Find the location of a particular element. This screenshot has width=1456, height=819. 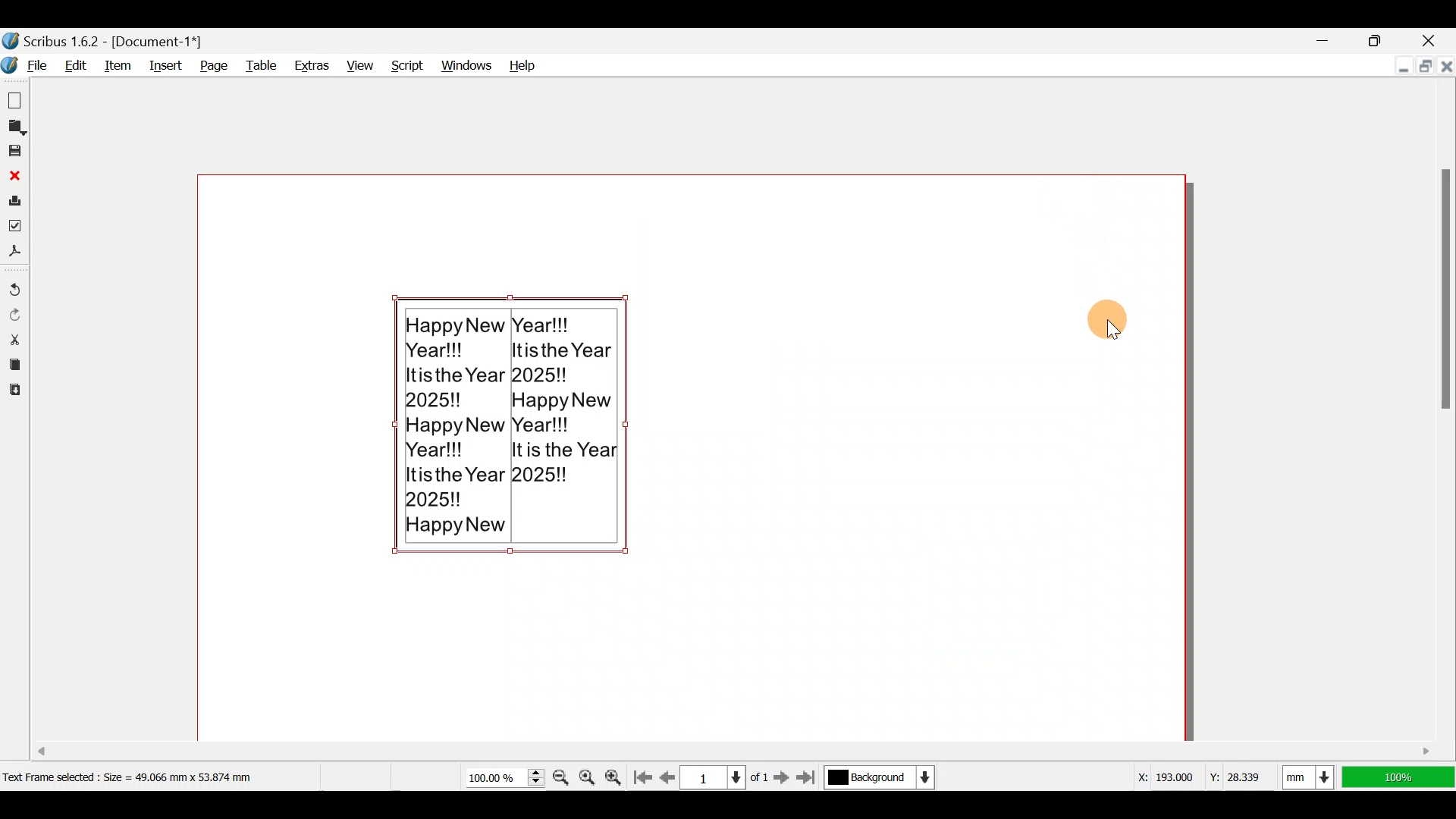

100% zoom ratio is located at coordinates (1401, 777).